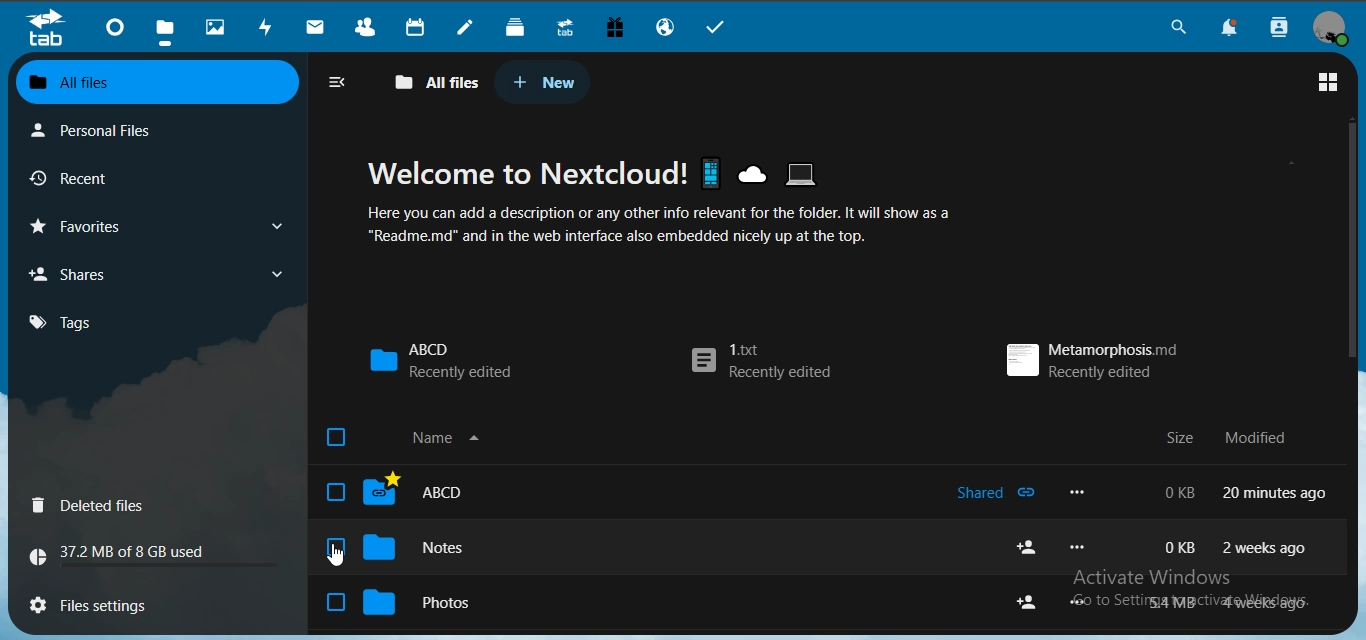  Describe the element at coordinates (1175, 602) in the screenshot. I see `54 mb` at that location.